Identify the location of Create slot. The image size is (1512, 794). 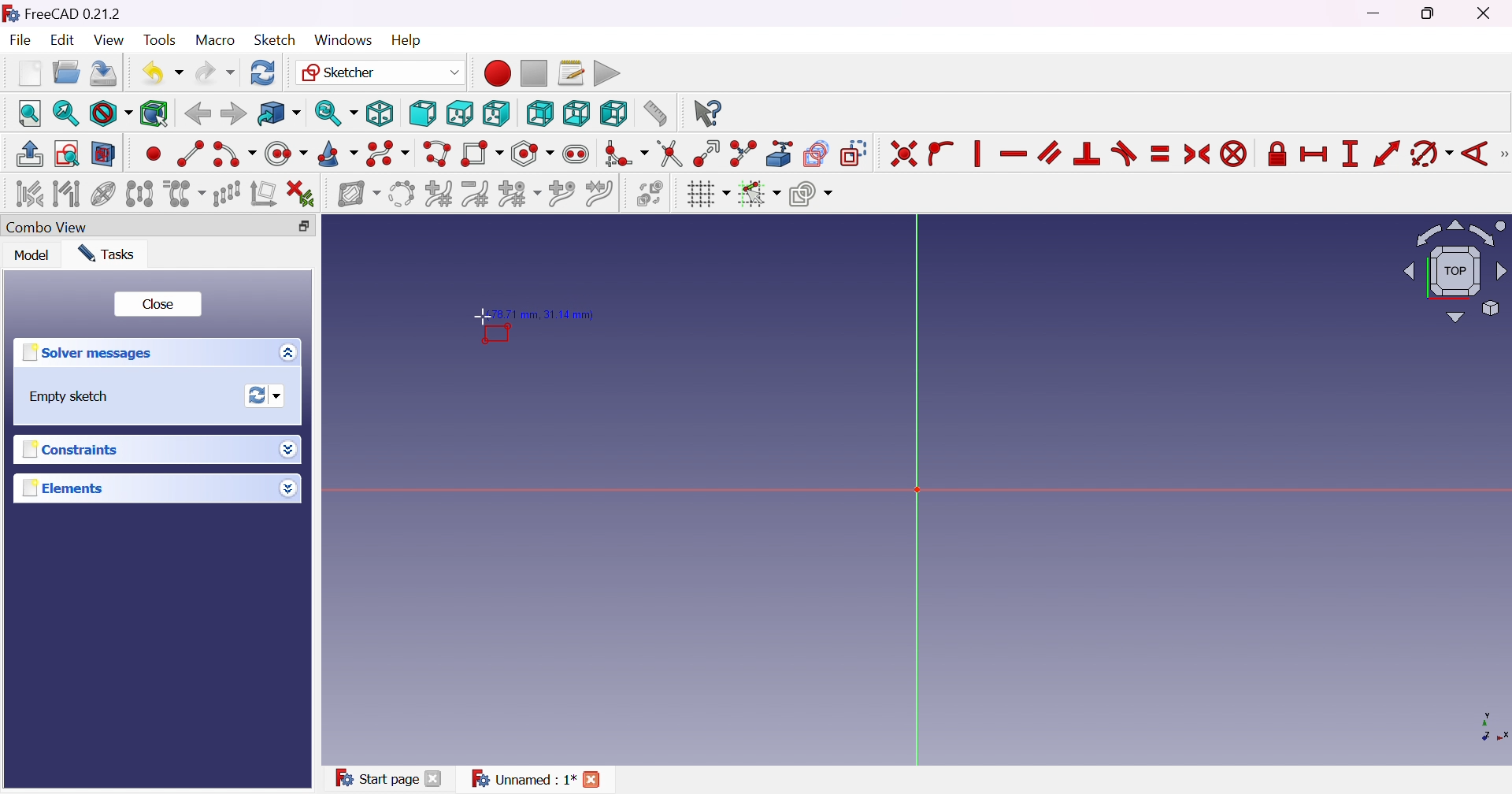
(578, 154).